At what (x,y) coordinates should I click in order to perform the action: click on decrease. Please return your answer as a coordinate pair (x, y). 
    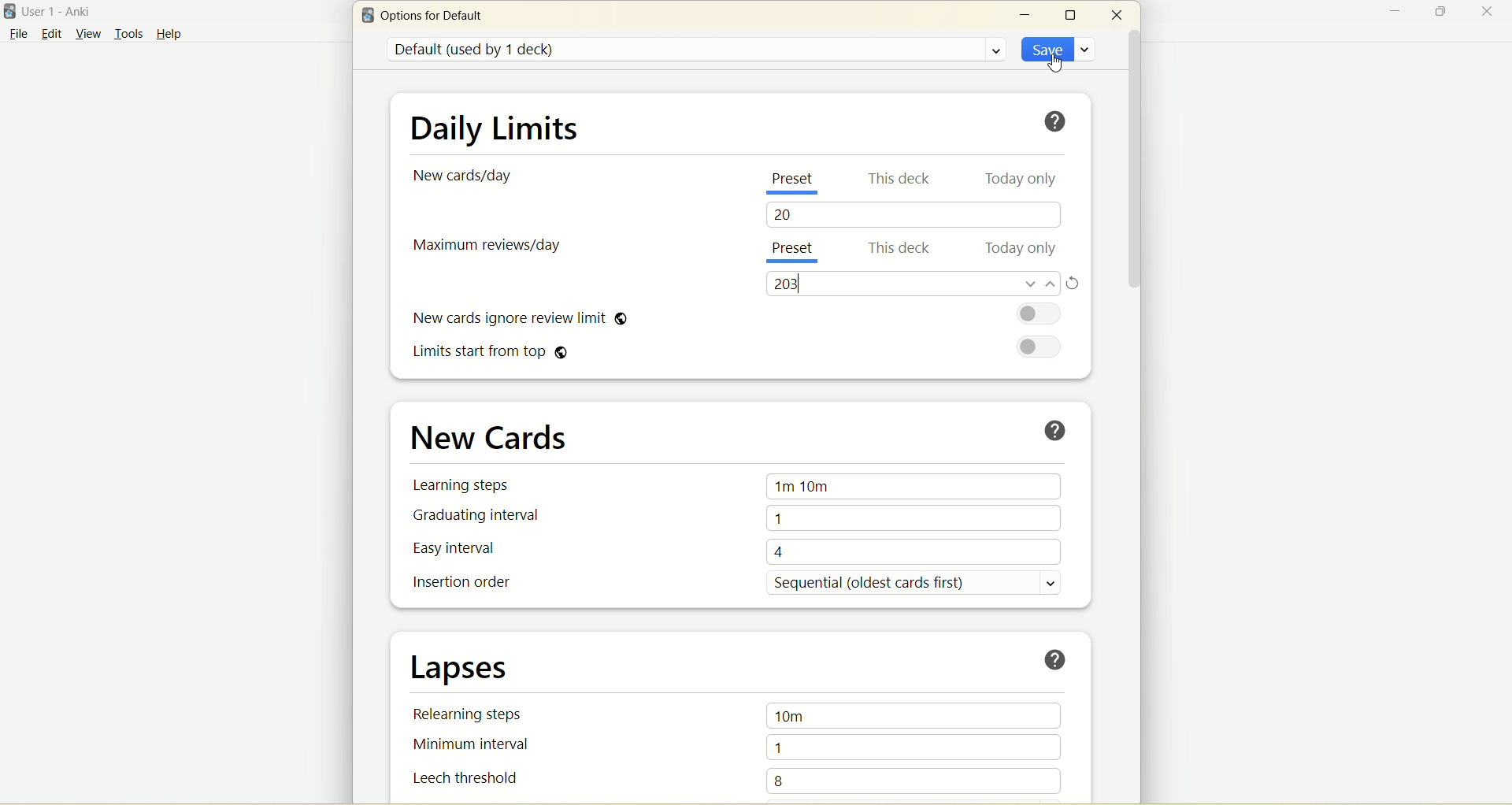
    Looking at the image, I should click on (1028, 286).